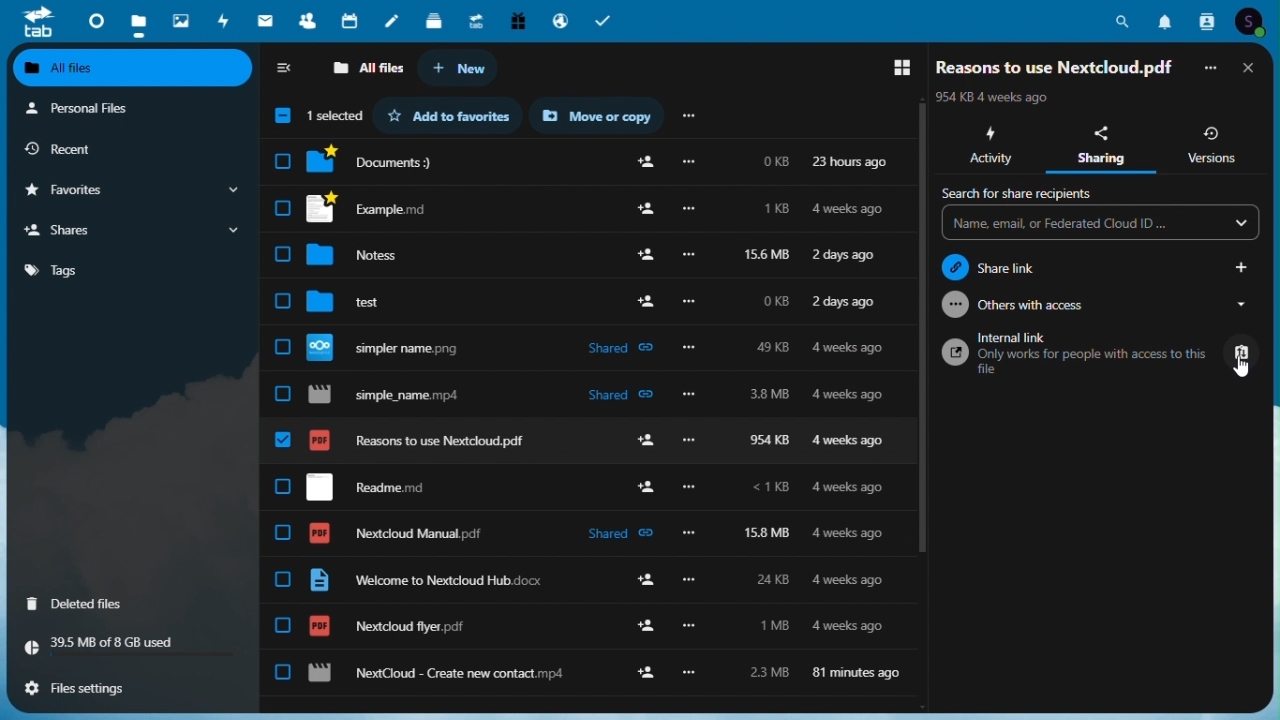 The image size is (1280, 720). What do you see at coordinates (89, 20) in the screenshot?
I see `dashboard` at bounding box center [89, 20].